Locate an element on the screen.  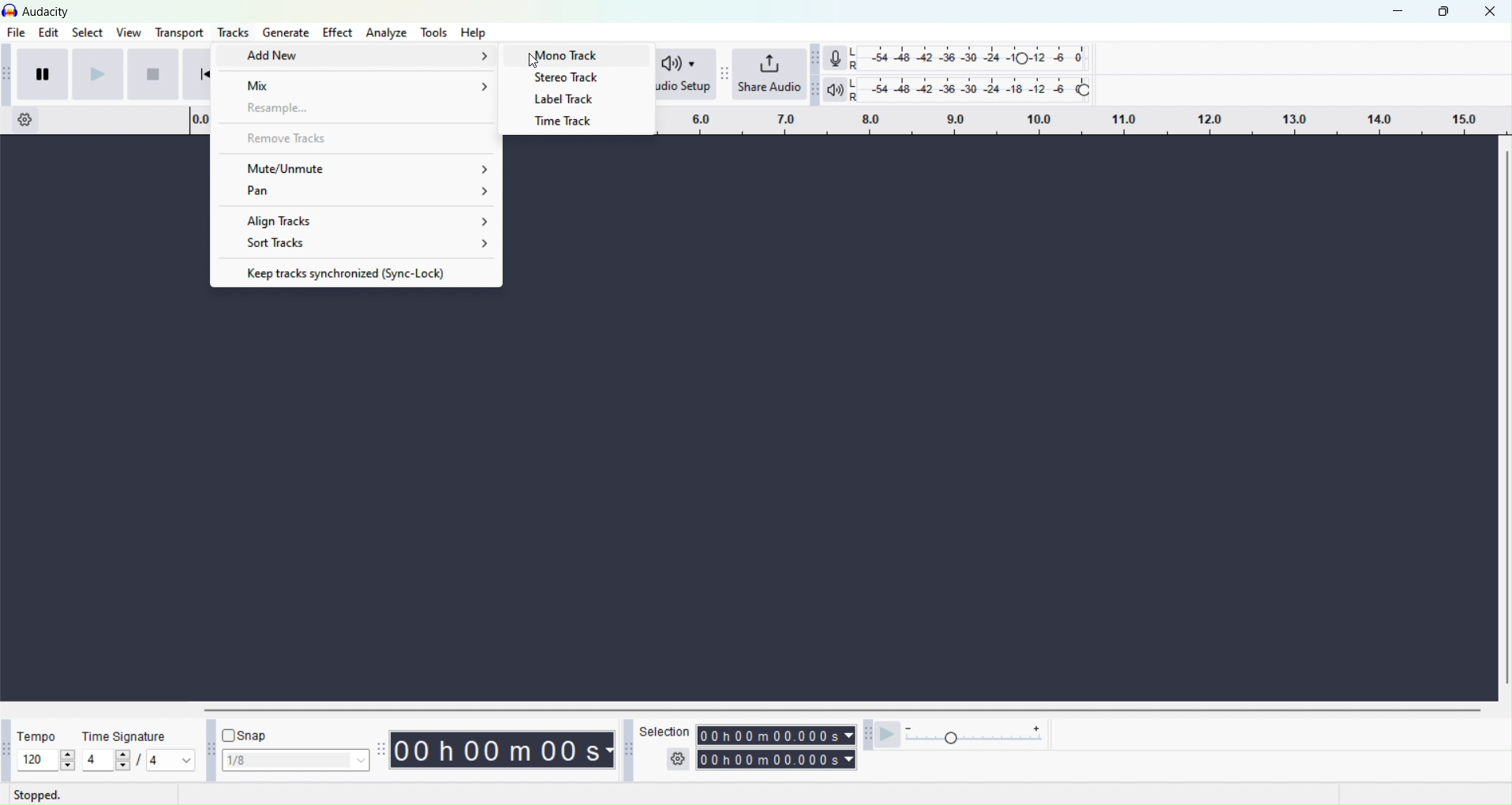
decrease beat per measure is located at coordinates (121, 767).